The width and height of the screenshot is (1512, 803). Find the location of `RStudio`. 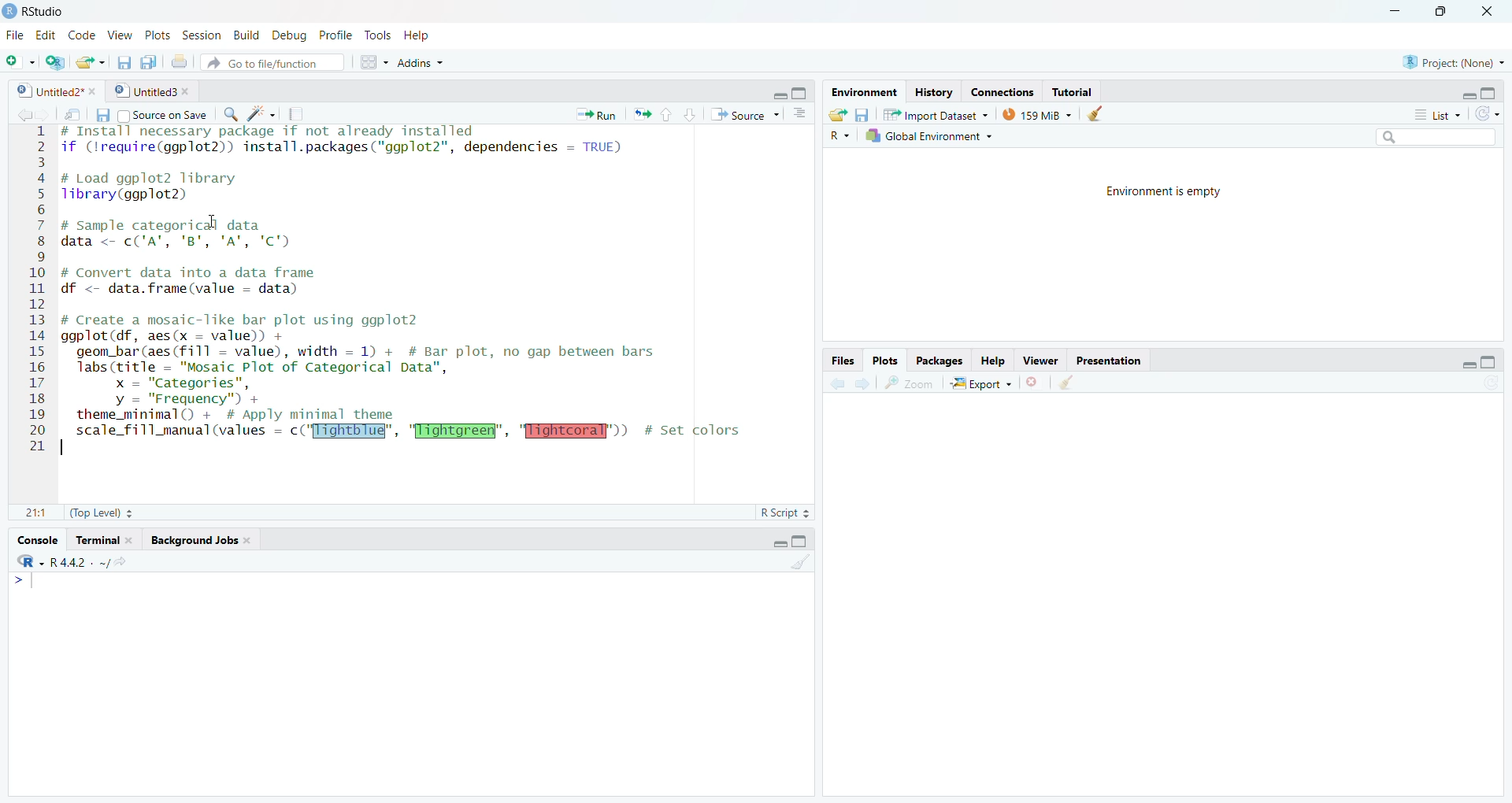

RStudio is located at coordinates (38, 12).